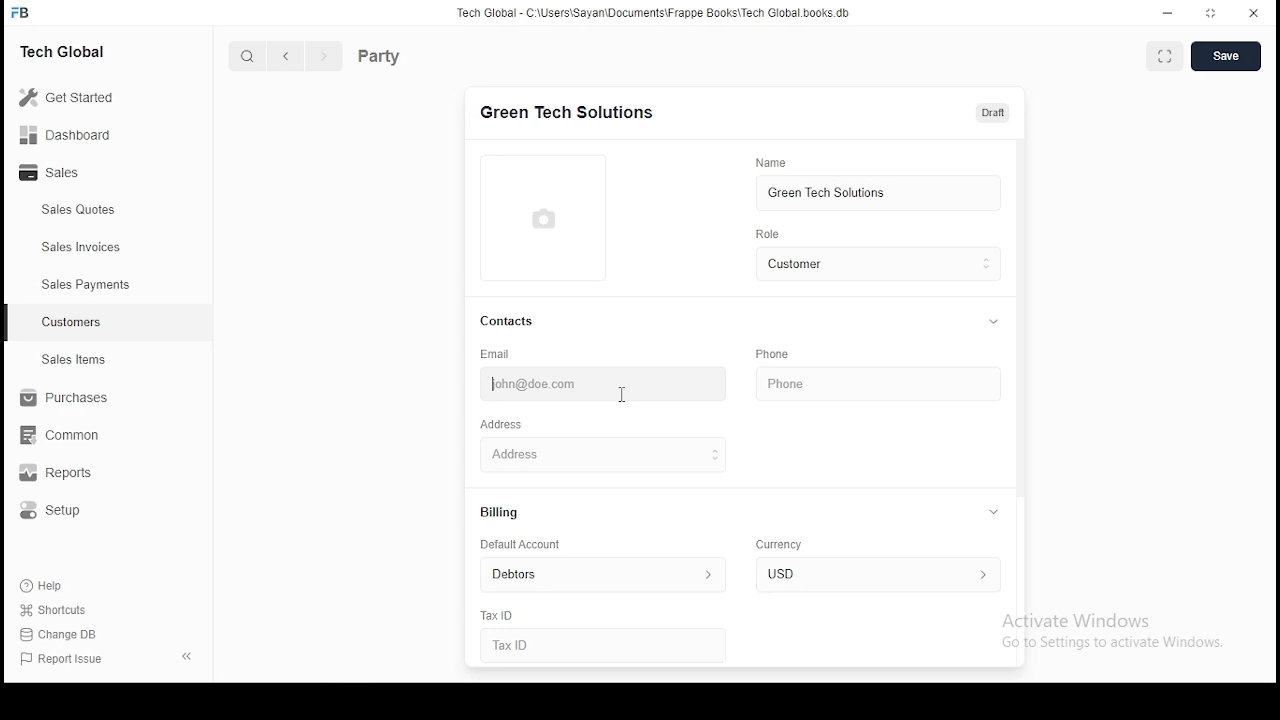 This screenshot has height=720, width=1280. Describe the element at coordinates (594, 574) in the screenshot. I see `default account` at that location.